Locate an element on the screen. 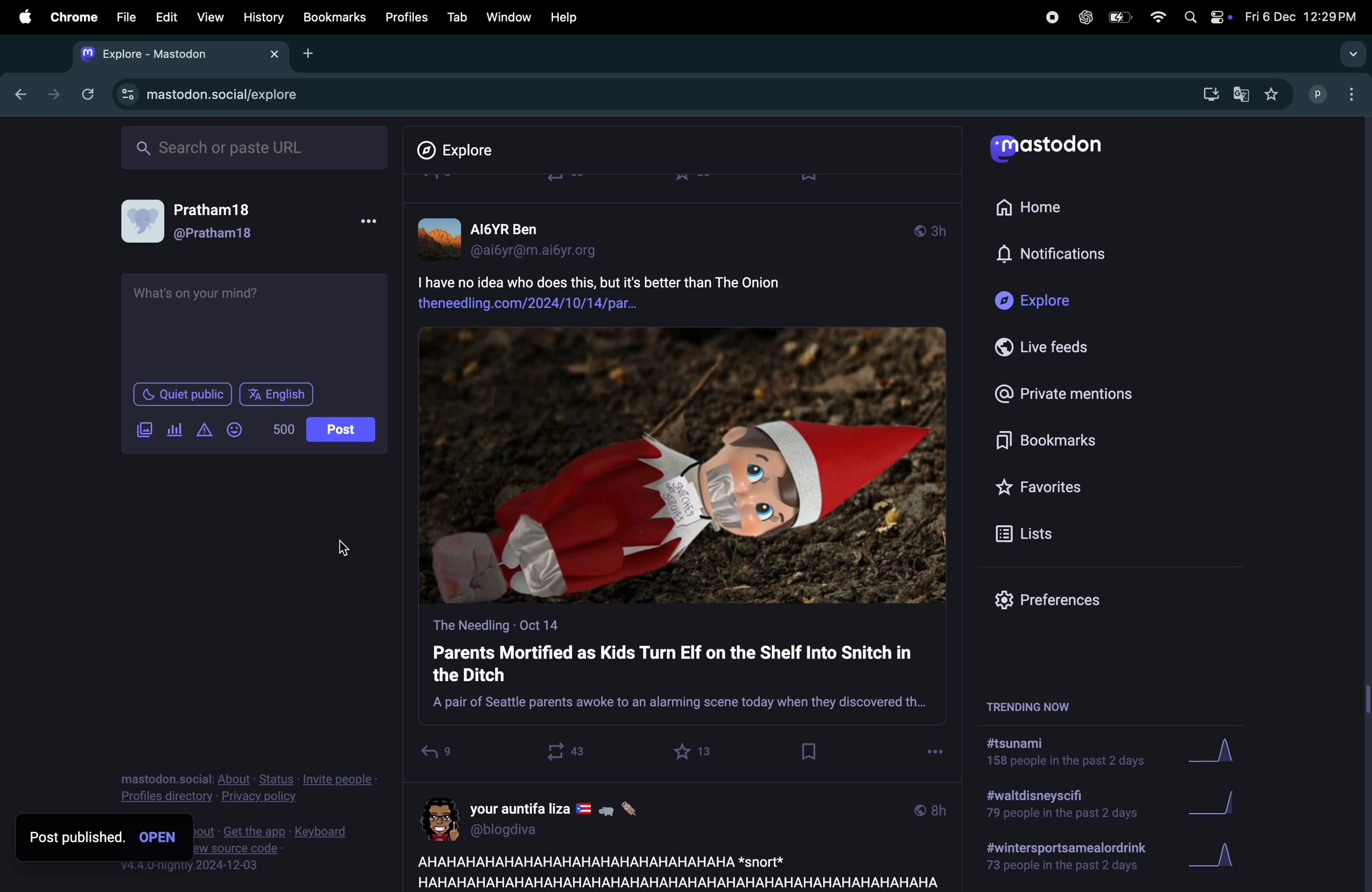  options is located at coordinates (367, 225).